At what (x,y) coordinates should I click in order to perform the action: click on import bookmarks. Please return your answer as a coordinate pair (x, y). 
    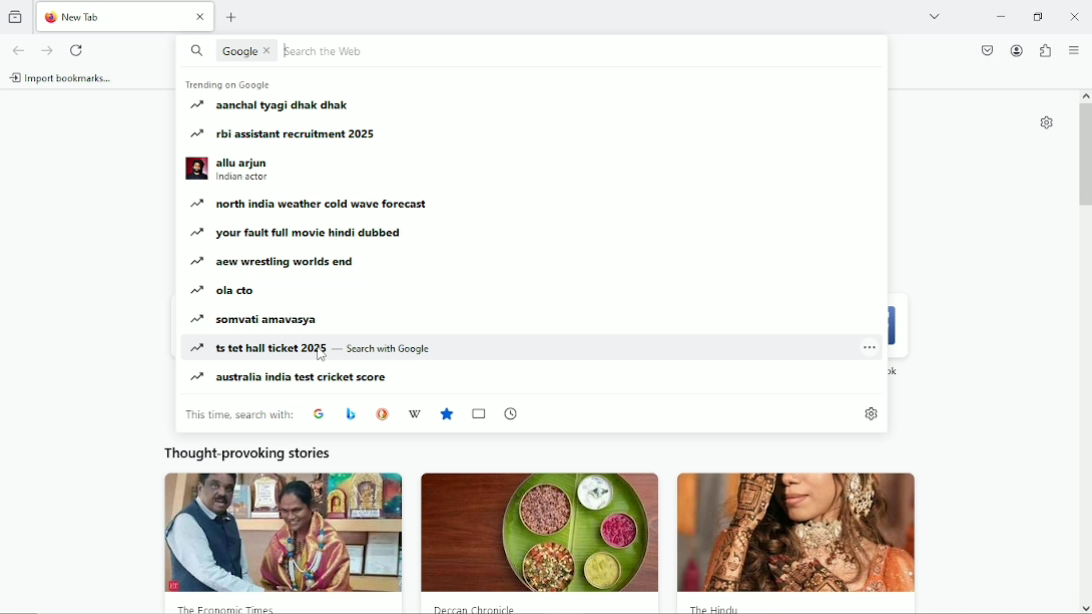
    Looking at the image, I should click on (63, 77).